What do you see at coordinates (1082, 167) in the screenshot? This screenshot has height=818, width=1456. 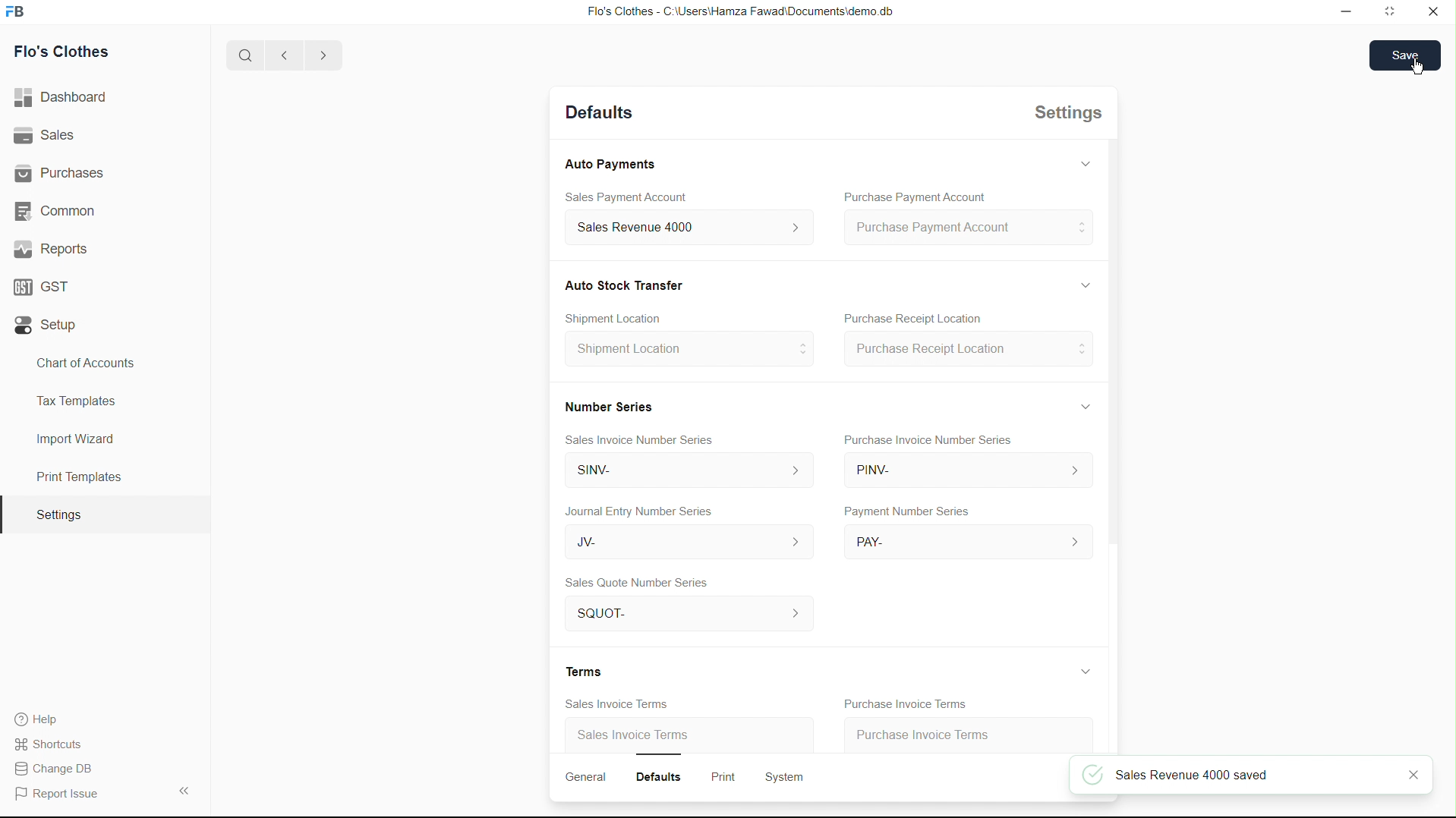 I see `Hide ` at bounding box center [1082, 167].